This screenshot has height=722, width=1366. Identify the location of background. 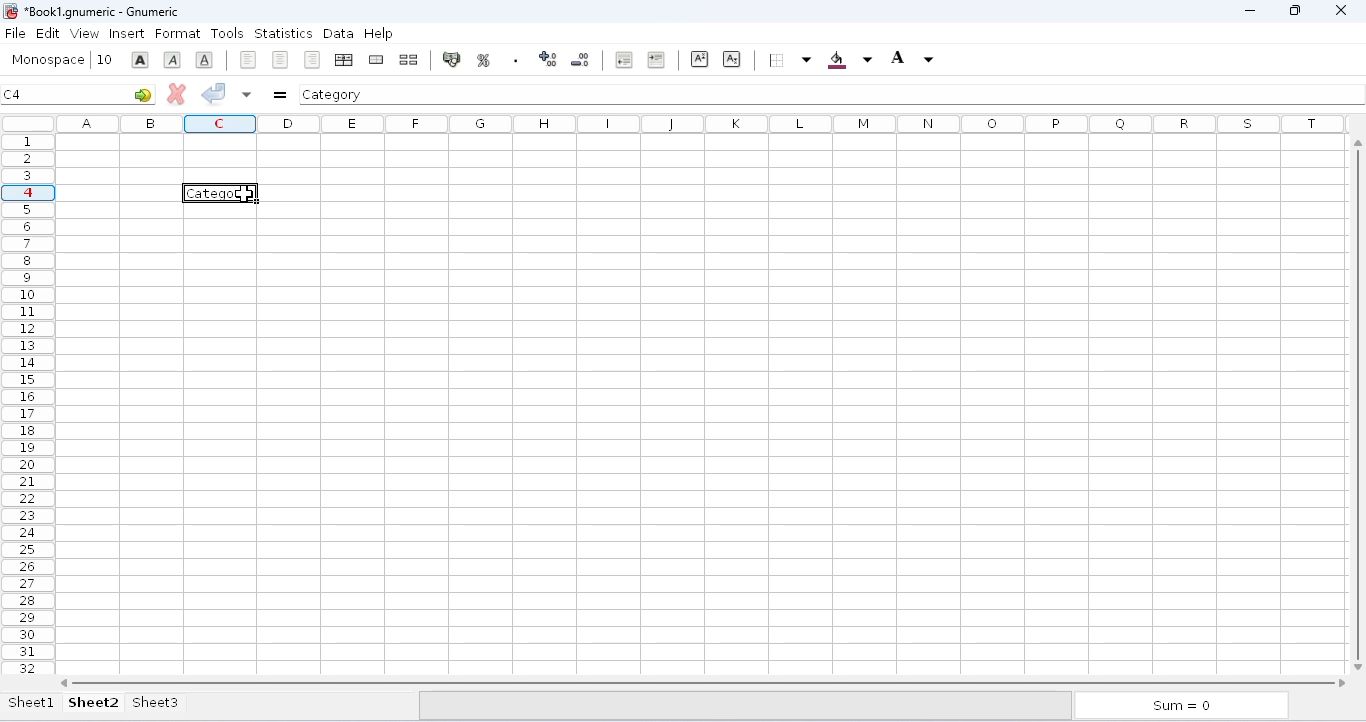
(849, 60).